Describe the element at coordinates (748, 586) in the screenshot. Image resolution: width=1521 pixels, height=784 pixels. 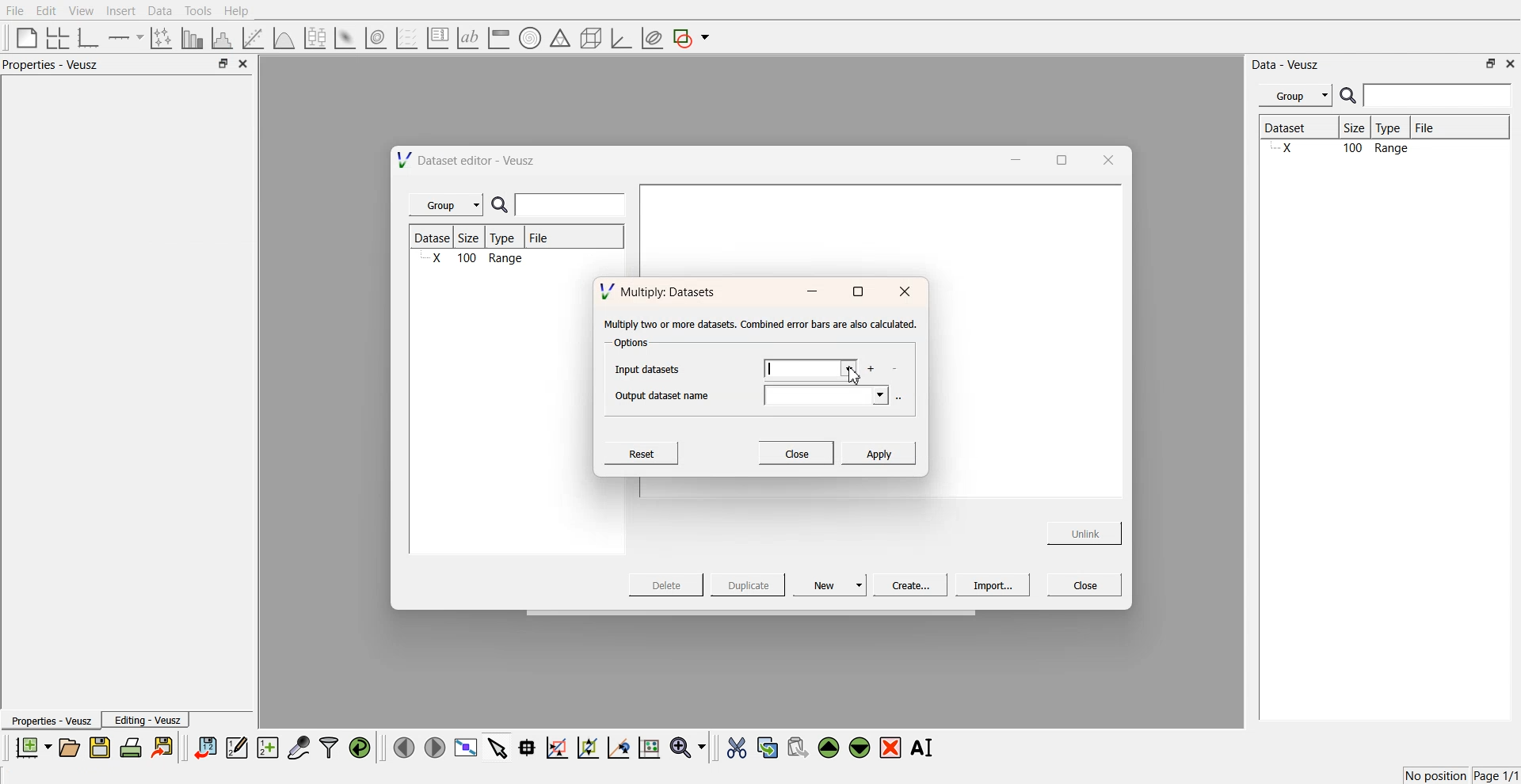
I see `Duplicate` at that location.